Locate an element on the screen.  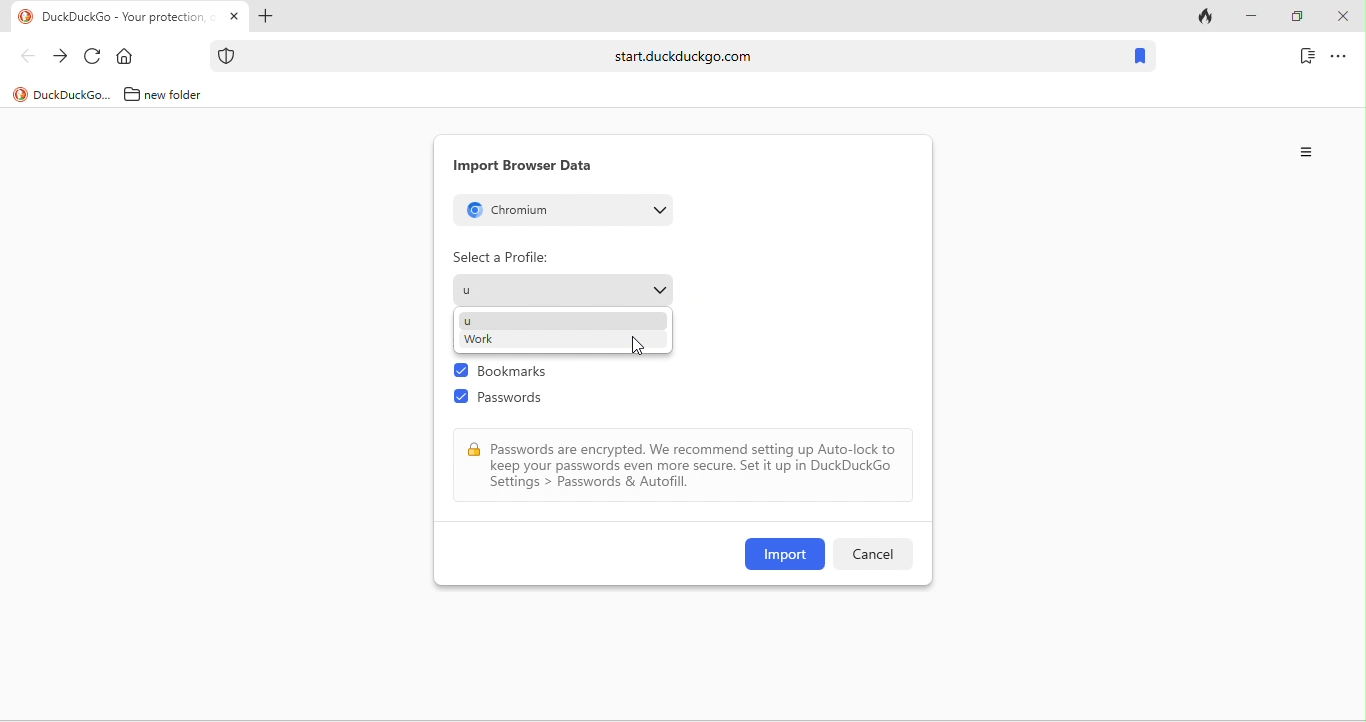
minimize is located at coordinates (1250, 17).